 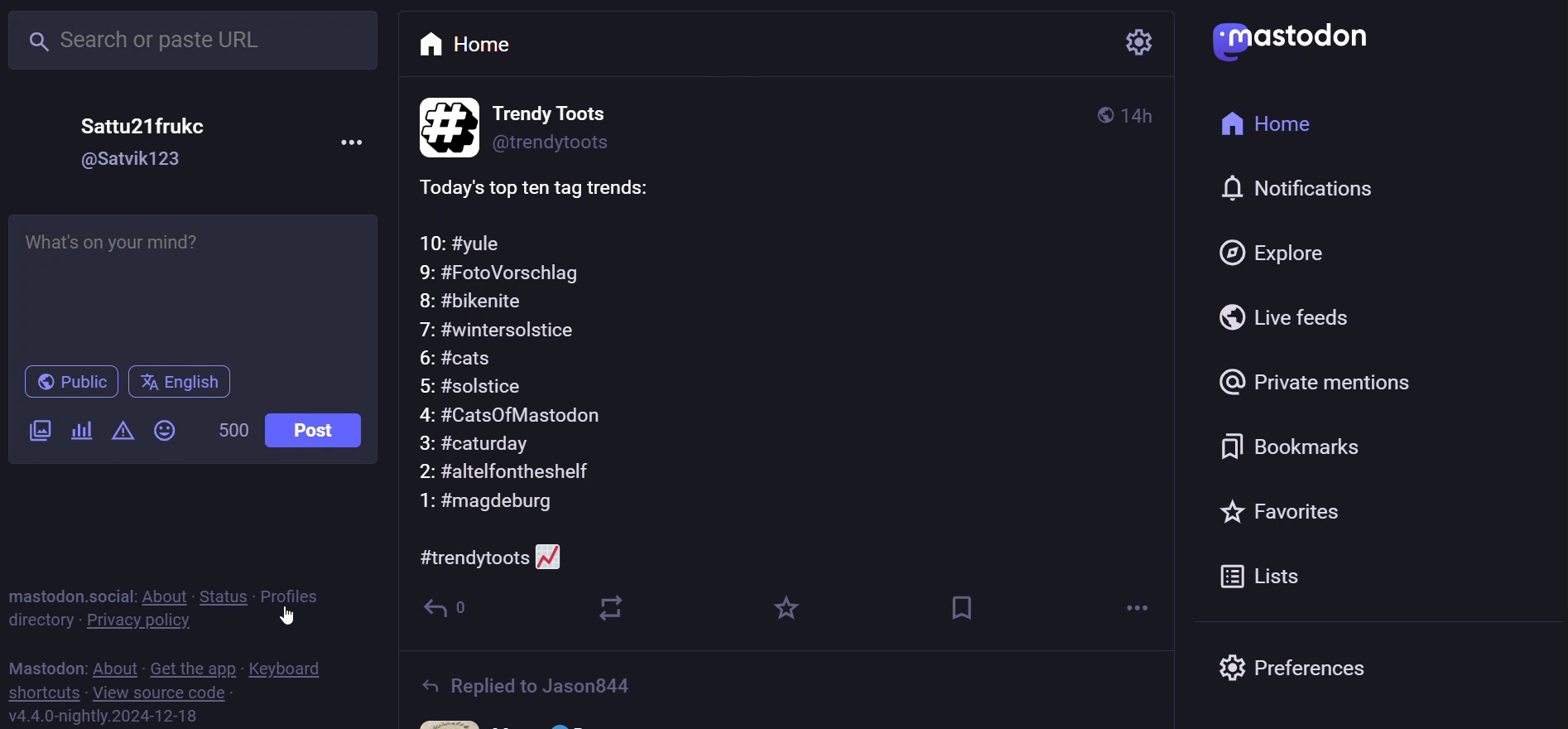 What do you see at coordinates (122, 432) in the screenshot?
I see `content warning` at bounding box center [122, 432].